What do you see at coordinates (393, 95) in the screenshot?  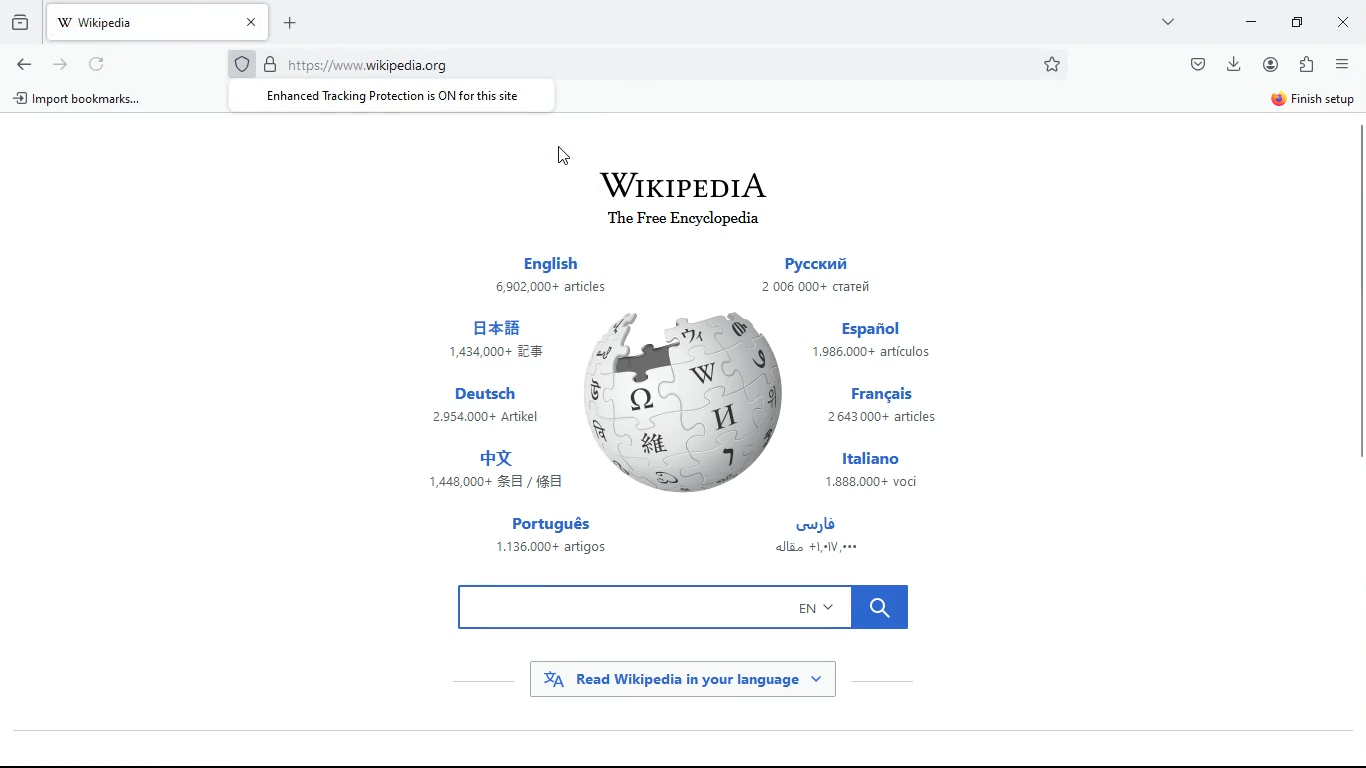 I see `protection on for the site` at bounding box center [393, 95].